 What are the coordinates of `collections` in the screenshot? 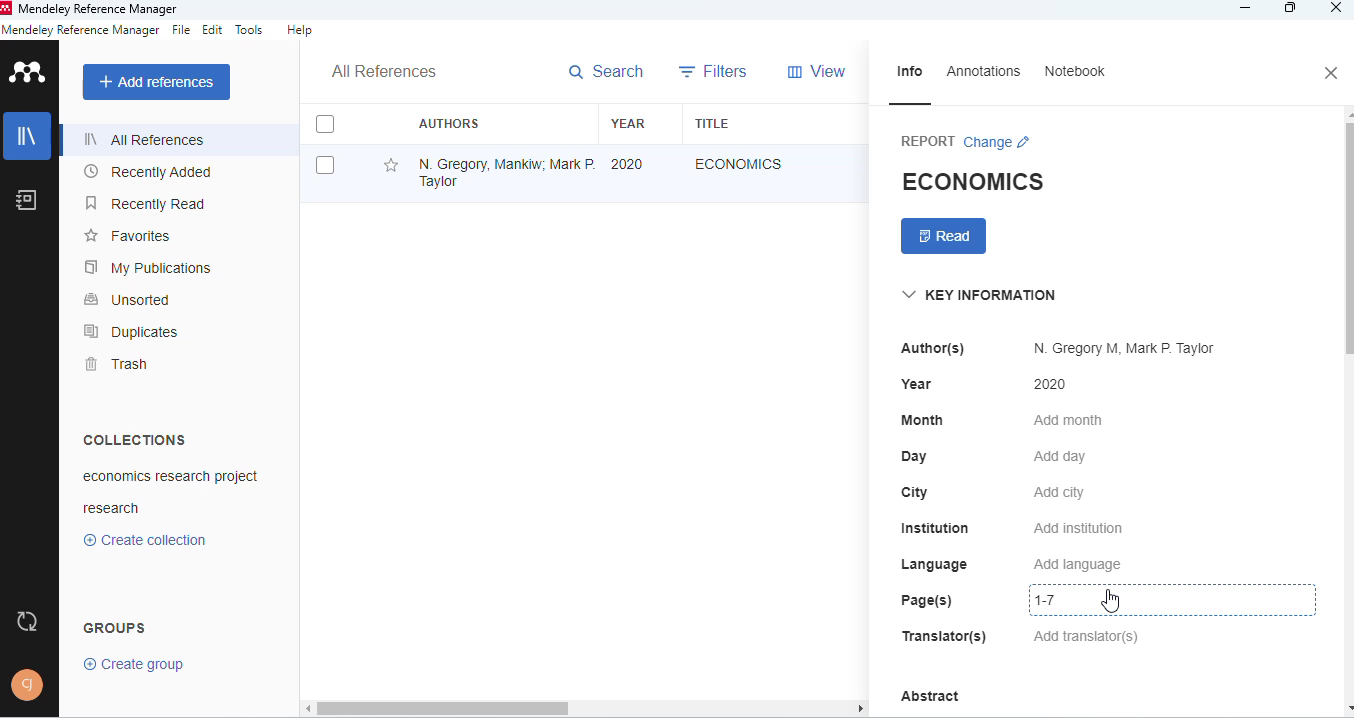 It's located at (136, 439).